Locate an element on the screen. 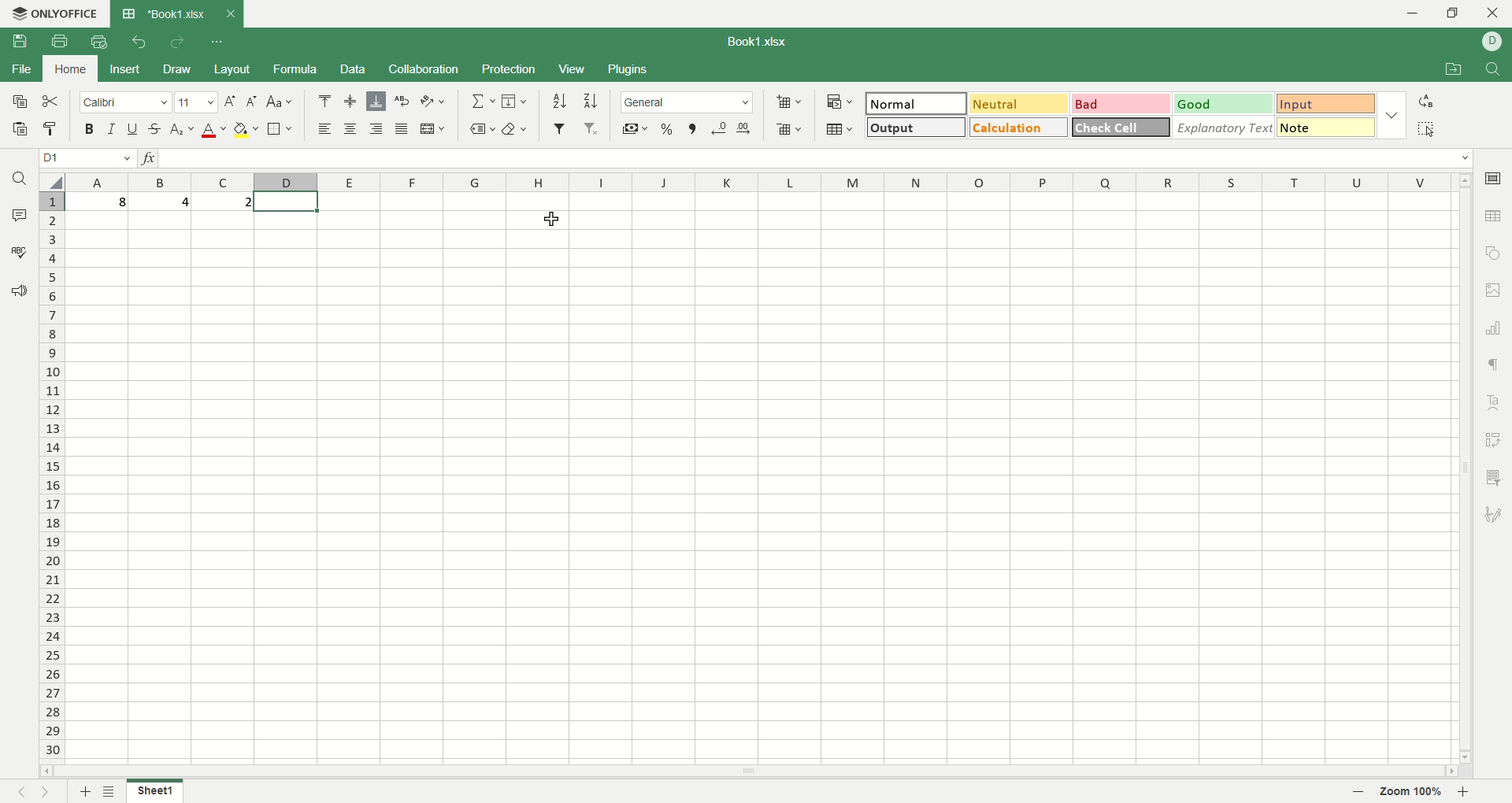  plugin is located at coordinates (625, 68).